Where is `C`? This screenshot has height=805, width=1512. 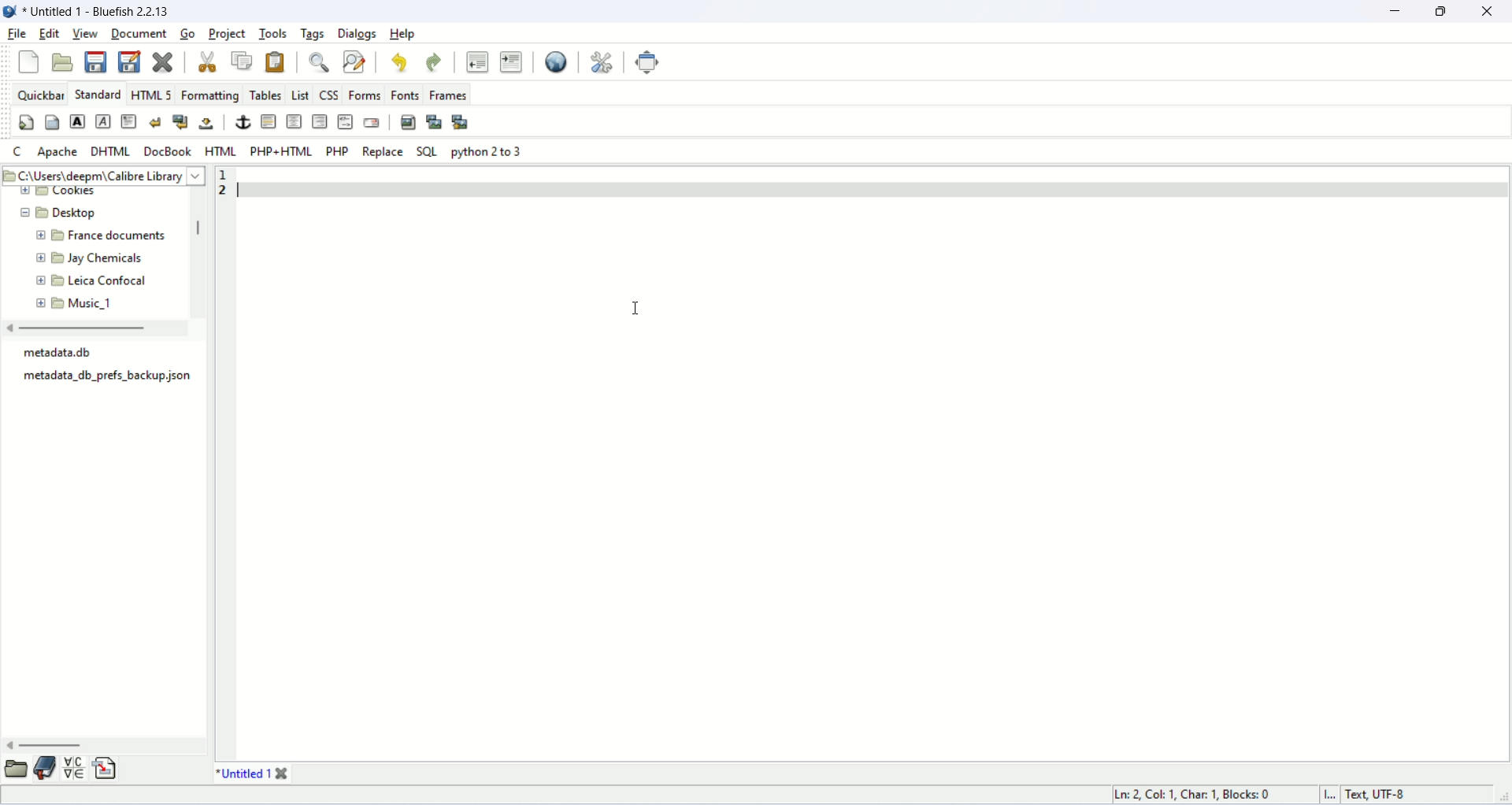
C is located at coordinates (17, 150).